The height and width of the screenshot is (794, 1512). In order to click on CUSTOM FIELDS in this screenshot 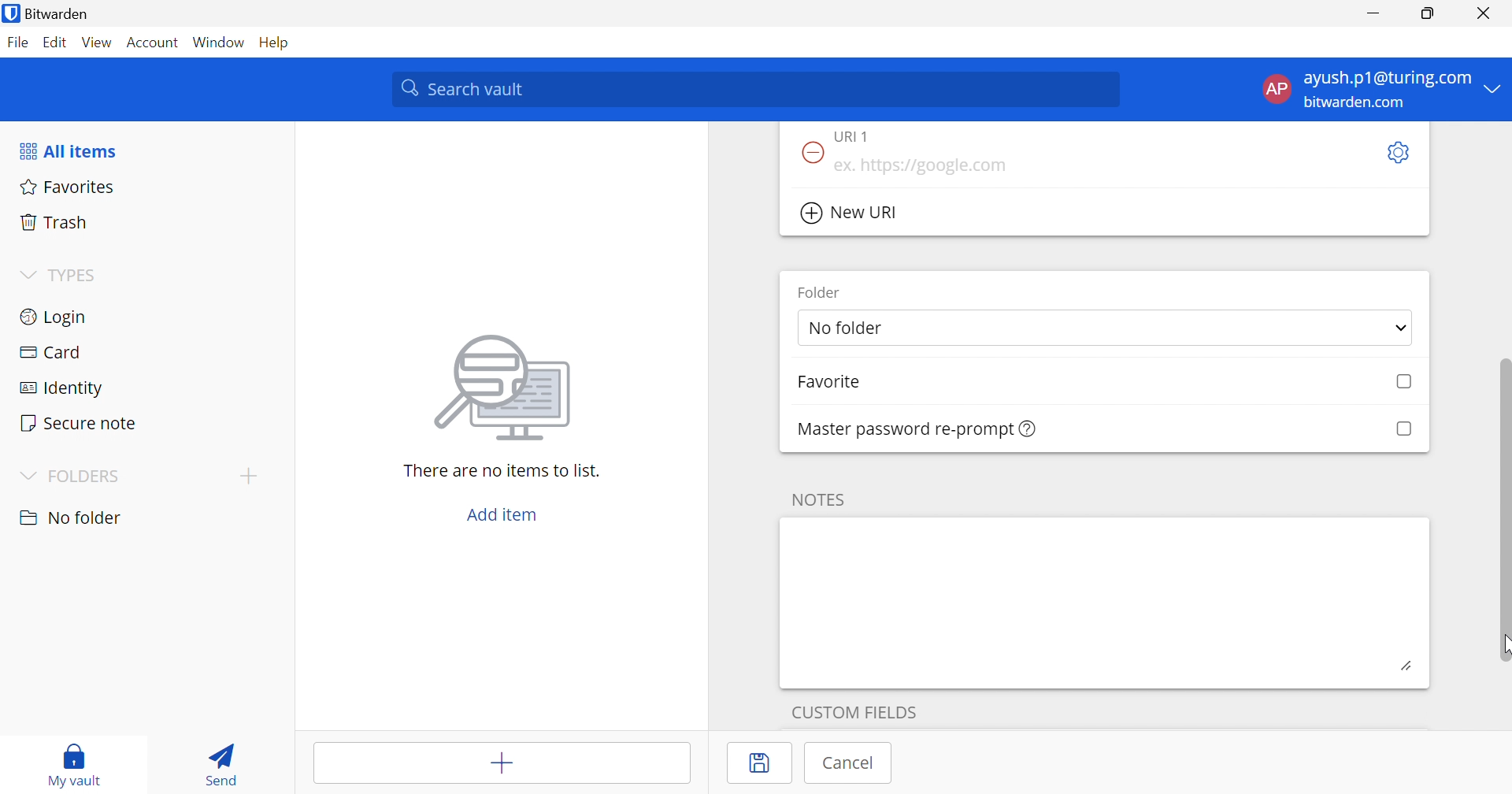, I will do `click(854, 710)`.